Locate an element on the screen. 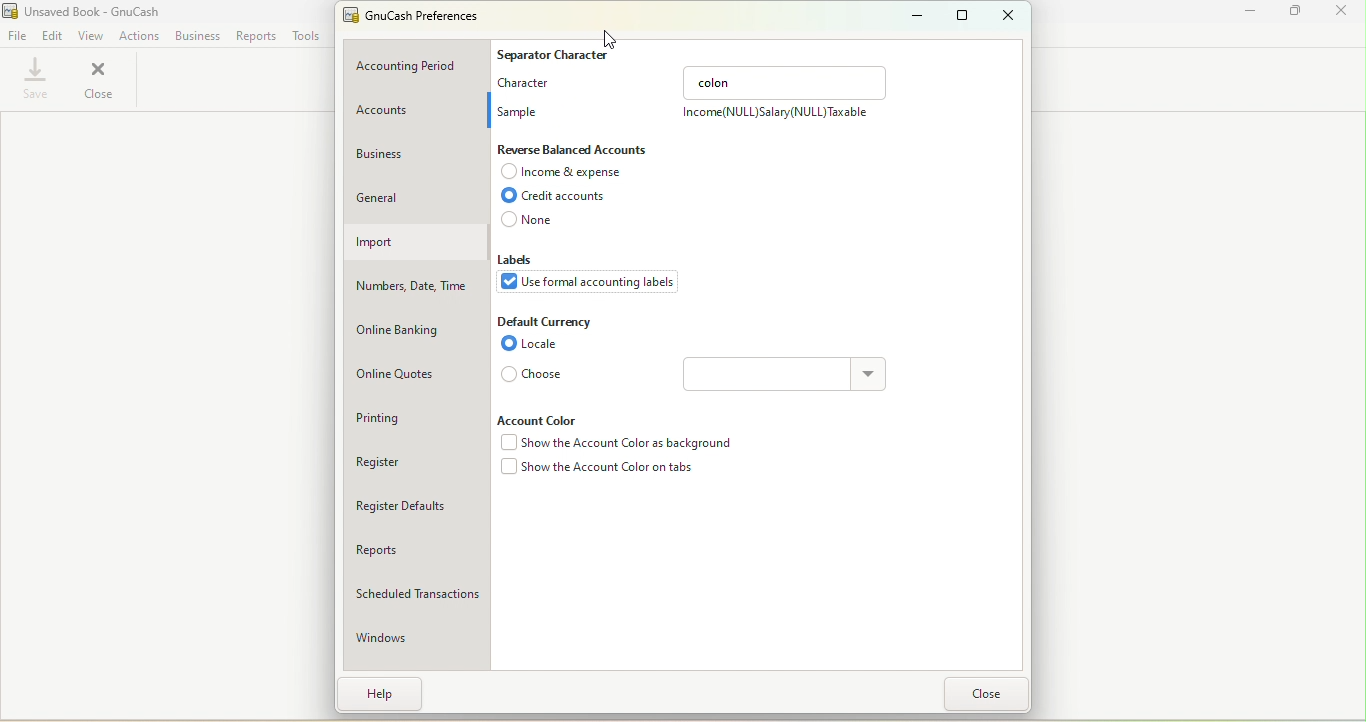 This screenshot has width=1366, height=722. Register defaults is located at coordinates (416, 506).